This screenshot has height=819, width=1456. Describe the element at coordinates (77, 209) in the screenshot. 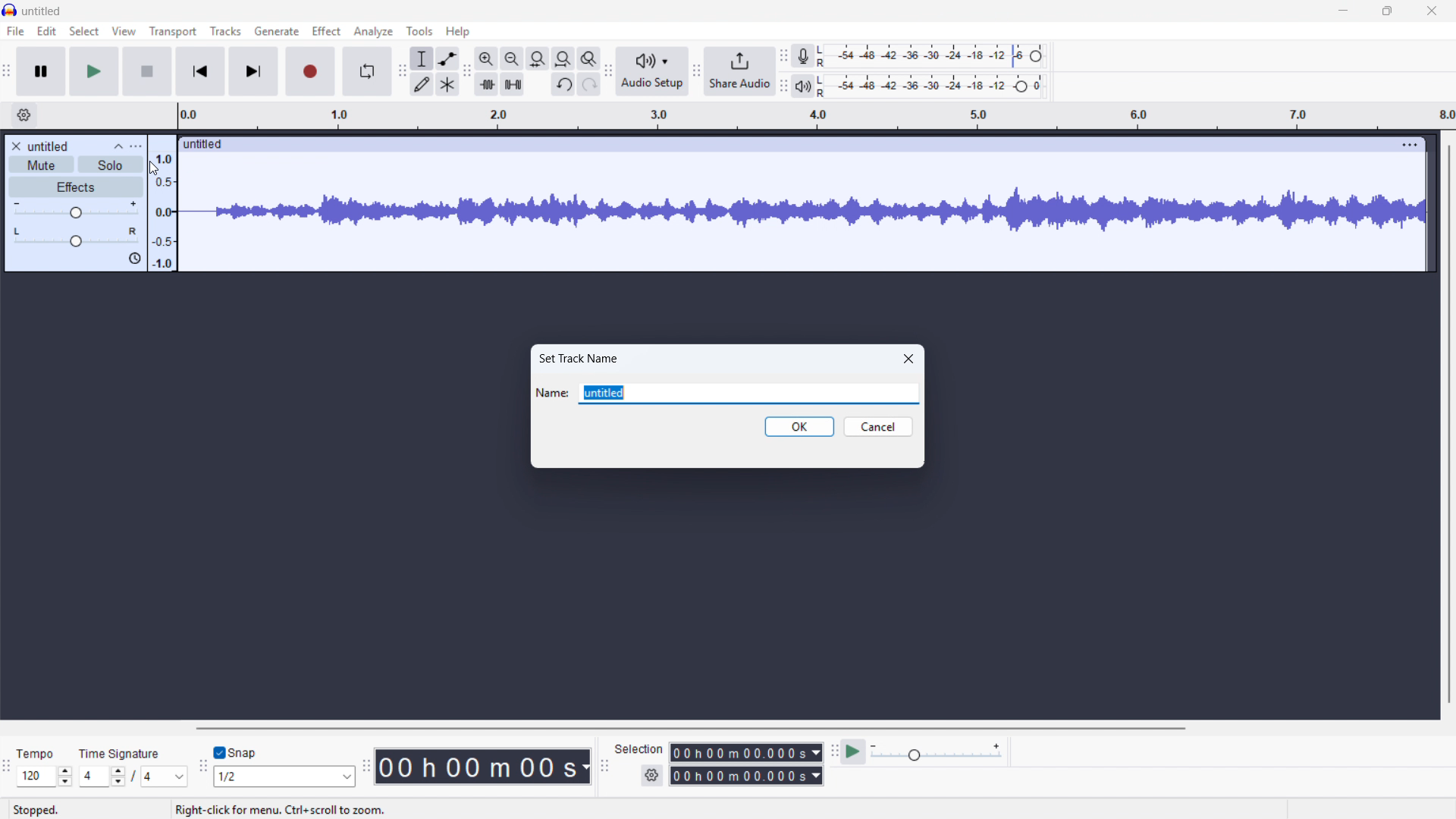

I see `Gain ` at that location.